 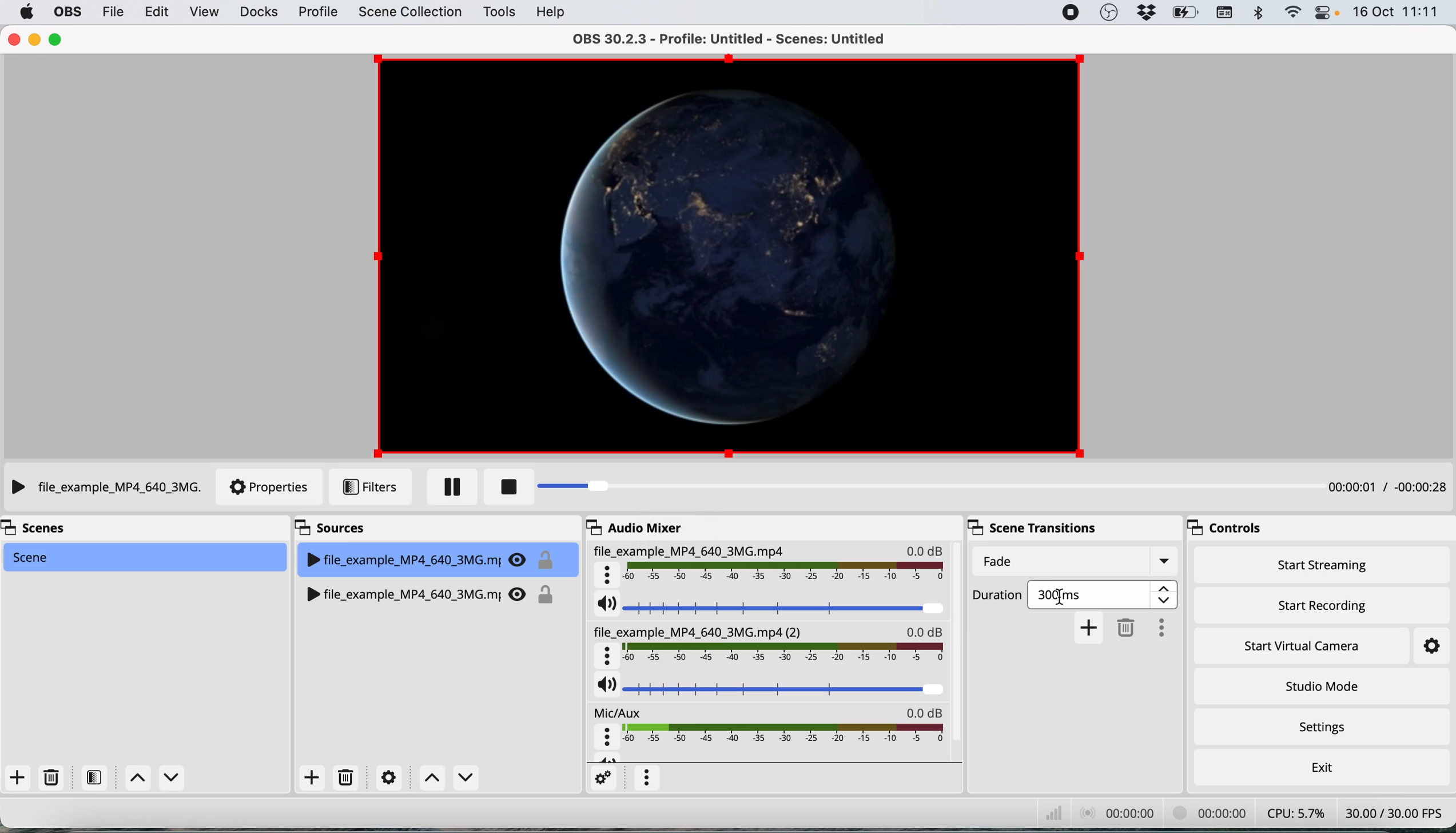 I want to click on pause, so click(x=451, y=486).